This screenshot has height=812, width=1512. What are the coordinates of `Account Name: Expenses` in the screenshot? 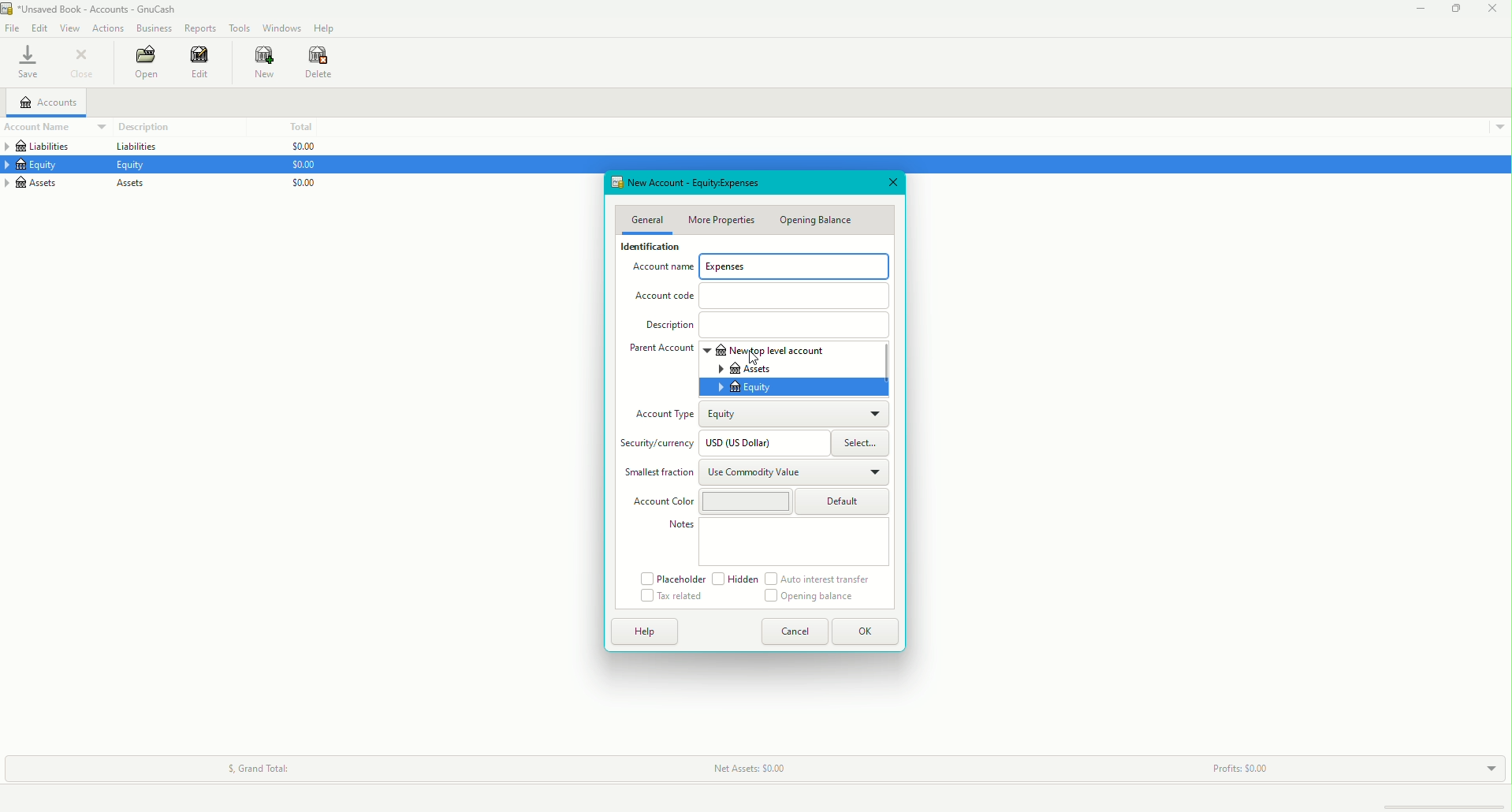 It's located at (766, 268).